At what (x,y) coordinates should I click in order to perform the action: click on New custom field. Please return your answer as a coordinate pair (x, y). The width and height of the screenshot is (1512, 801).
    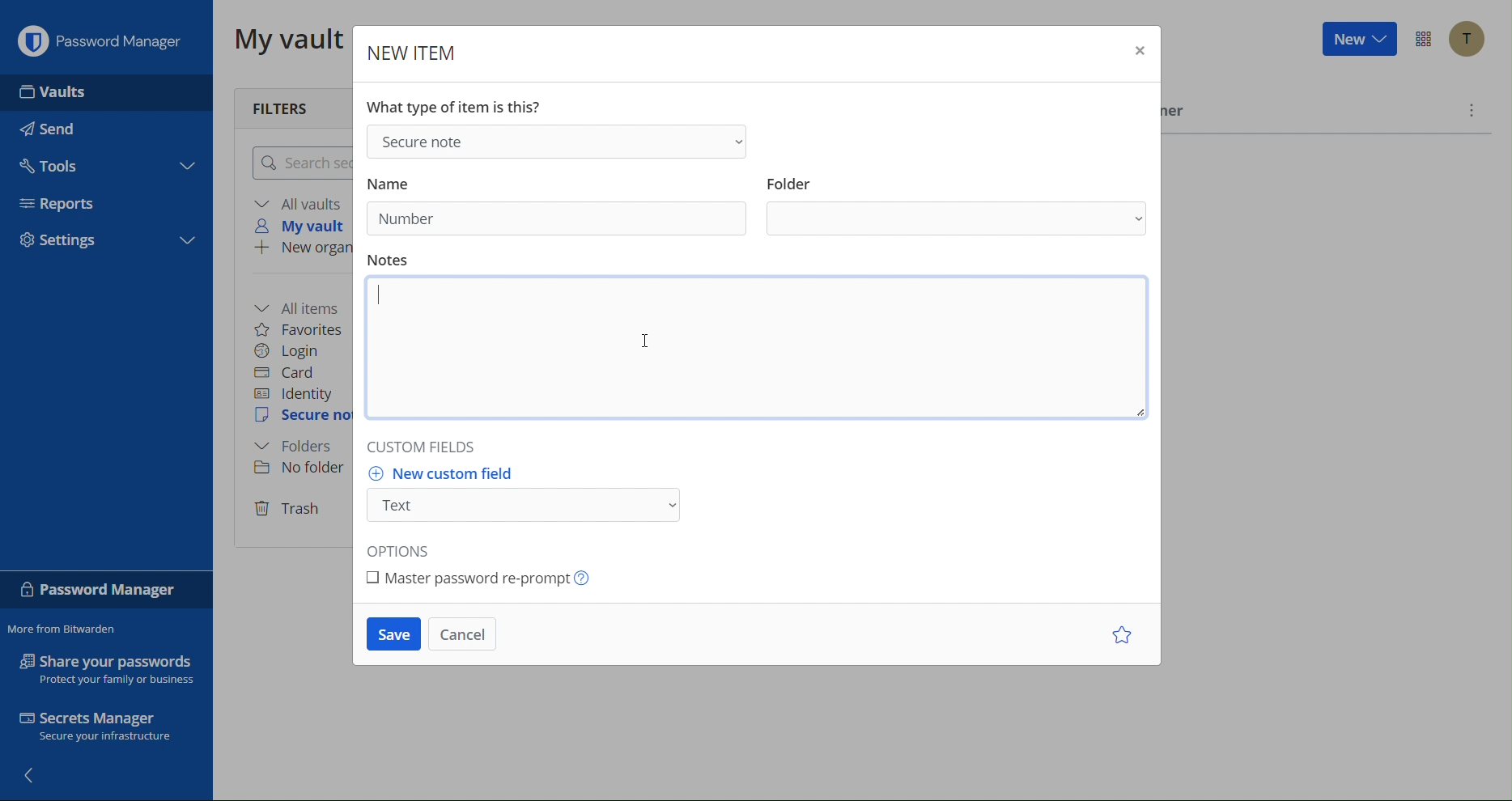
    Looking at the image, I should click on (525, 499).